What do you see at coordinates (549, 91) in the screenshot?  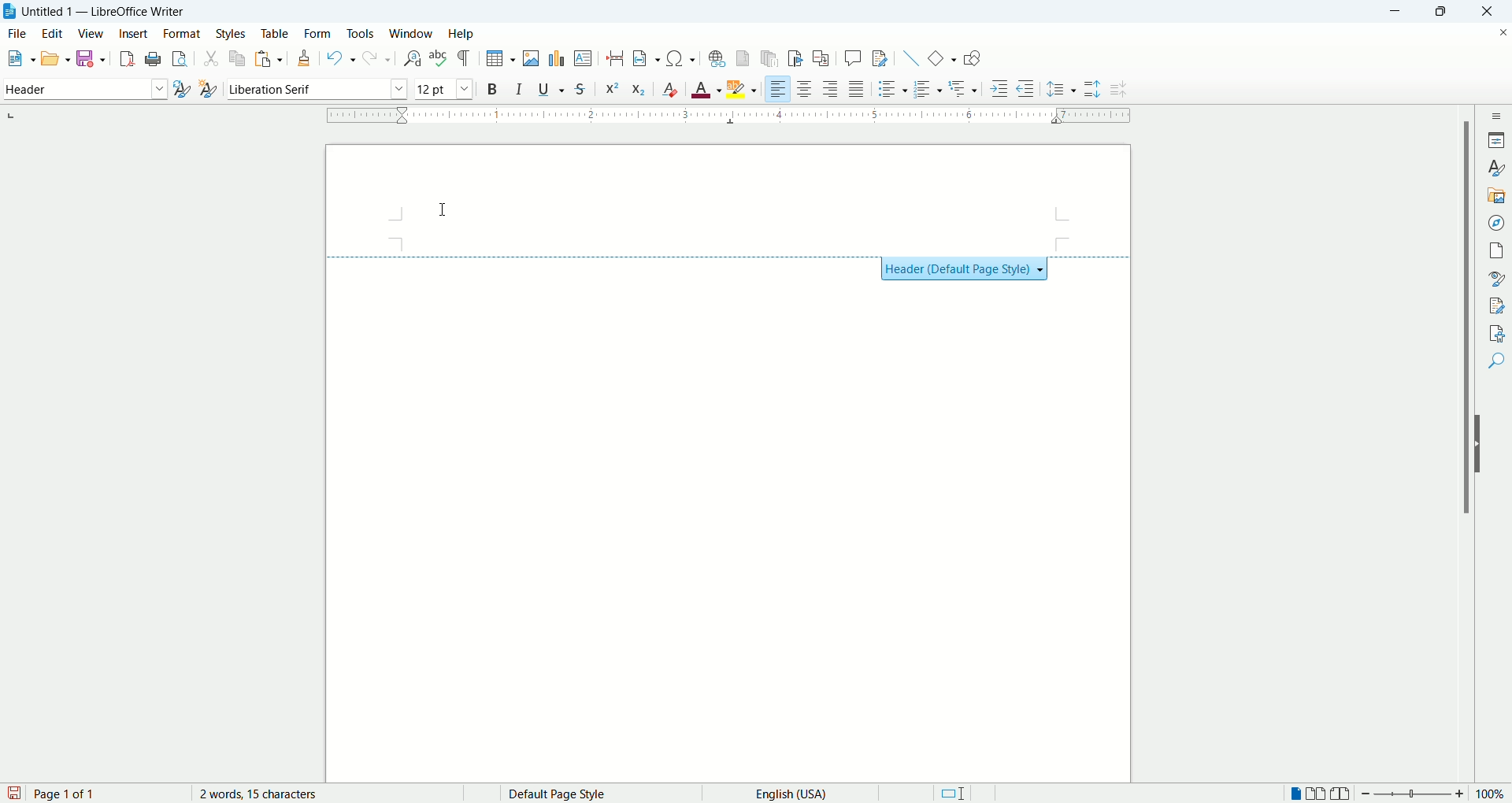 I see `underline` at bounding box center [549, 91].